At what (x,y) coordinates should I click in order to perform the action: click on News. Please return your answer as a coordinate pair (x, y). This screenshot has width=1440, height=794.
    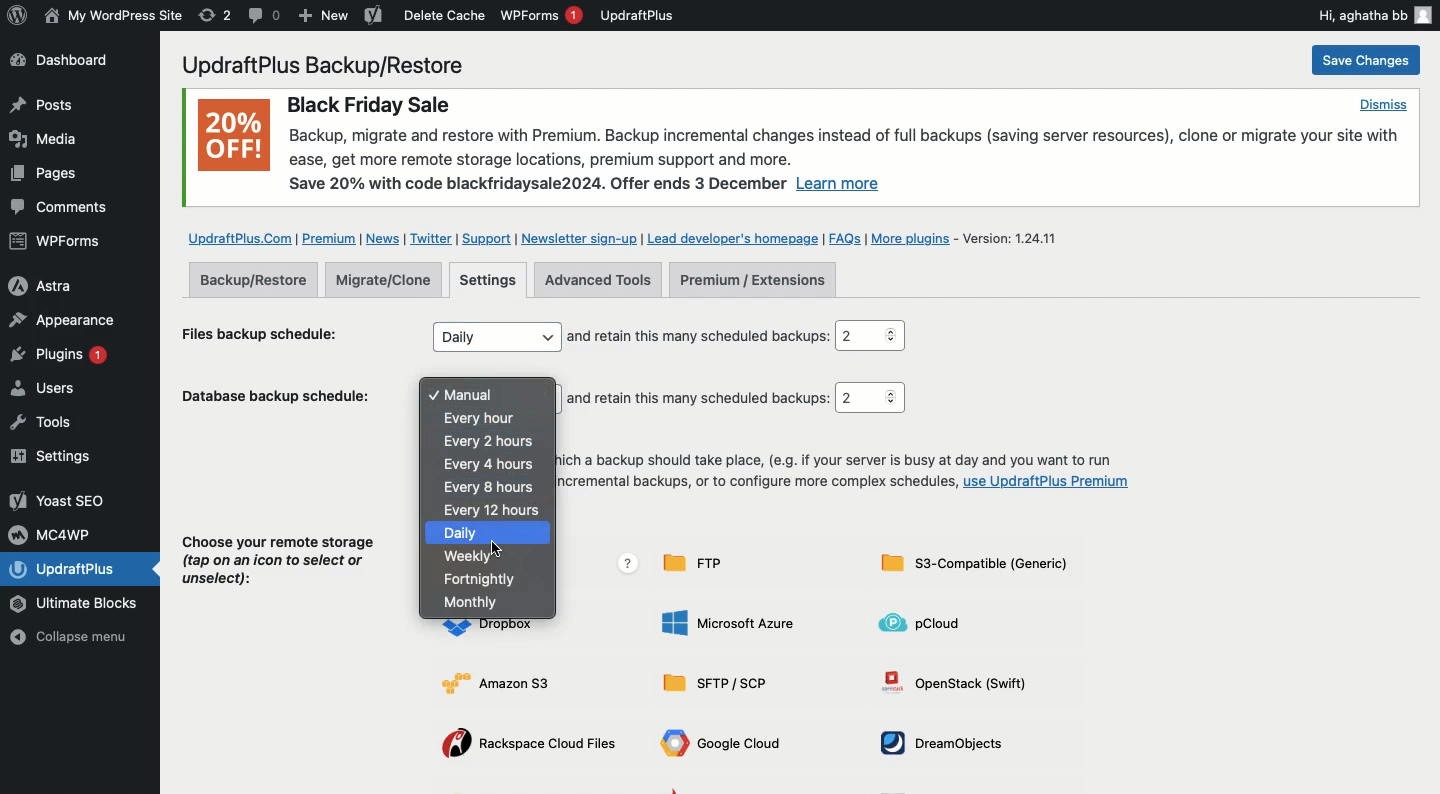
    Looking at the image, I should click on (385, 239).